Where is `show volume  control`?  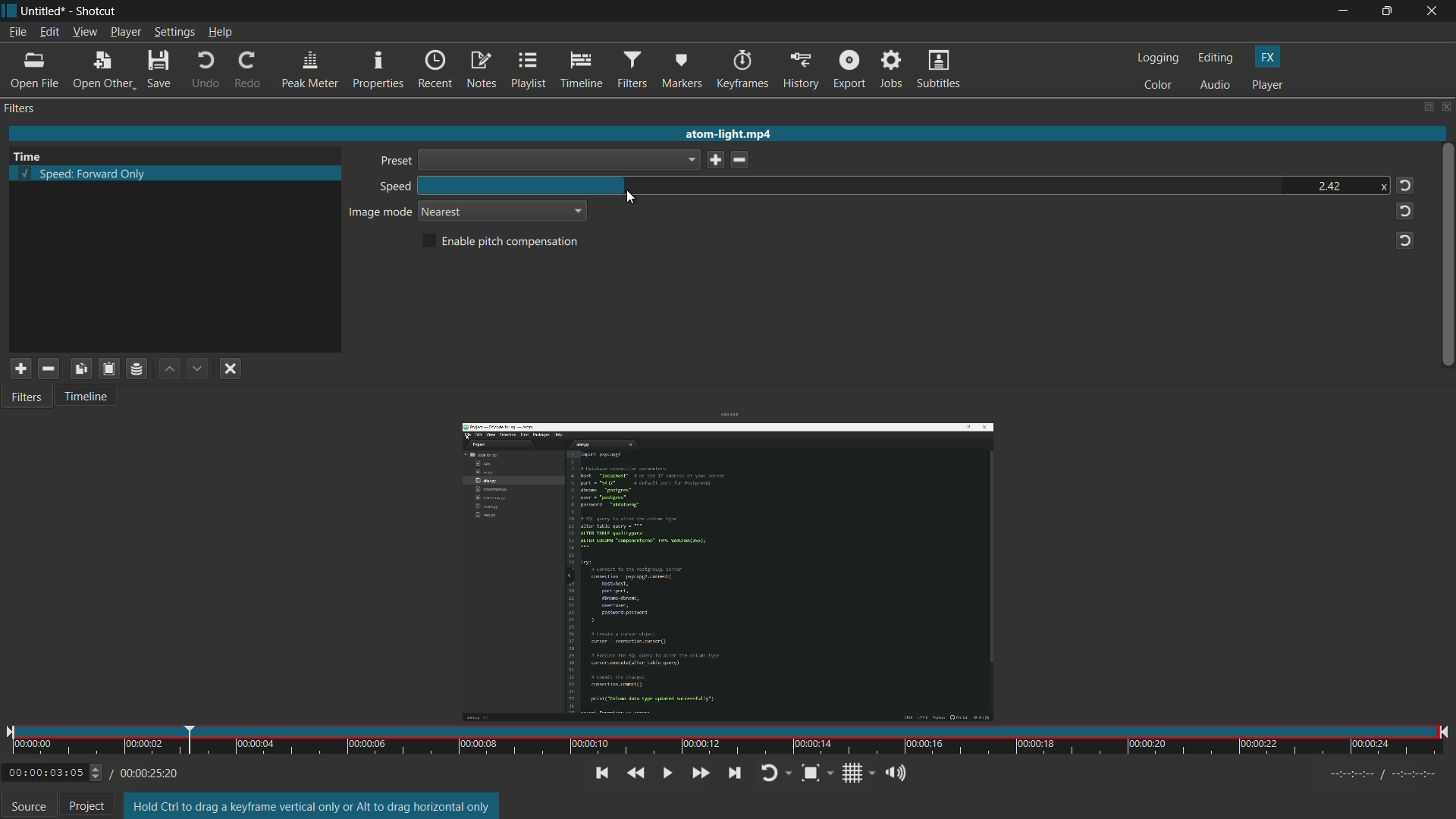
show volume  control is located at coordinates (895, 774).